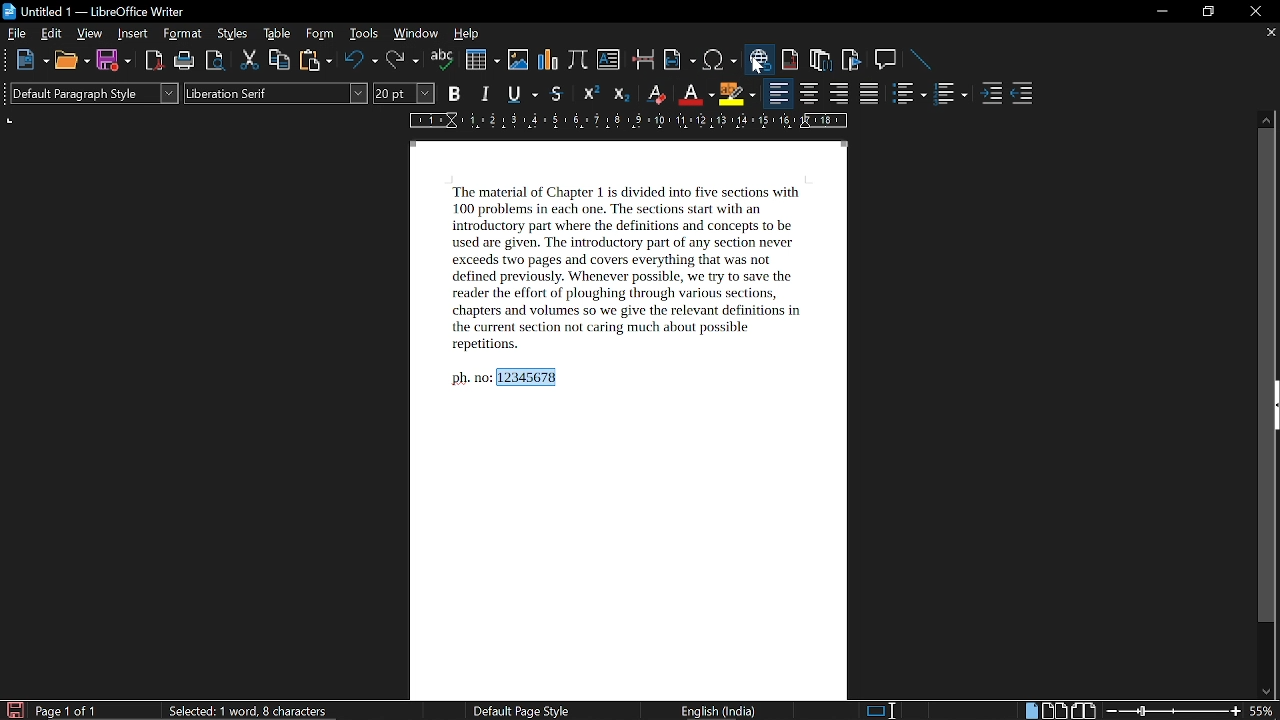  I want to click on ‘The material of Chapter 1 is divided into five sections with
100 problems in each one. The sections start with an
introductory part where the definitions and concepts to be
used are given. The introductory part of any section never
exceeds two pages and covers everything that was not
defined previously. Whenever possible, we try to save the
reader the effort of ploughing through various sections,
chapters and volumes so we give the relevant definitions in
the current section not caring much about possible
repetitions., so click(633, 268).